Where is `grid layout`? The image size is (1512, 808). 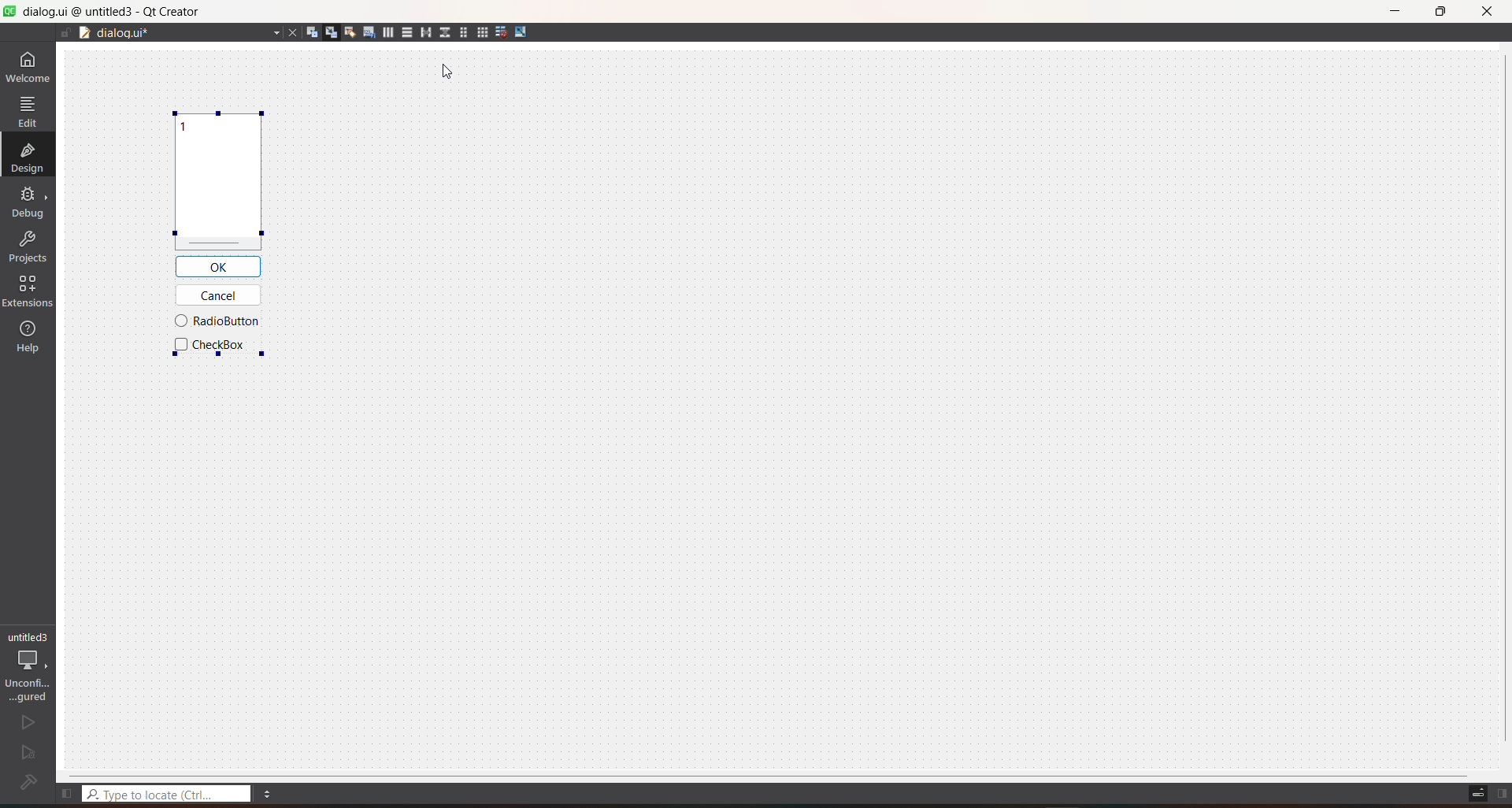
grid layout is located at coordinates (482, 32).